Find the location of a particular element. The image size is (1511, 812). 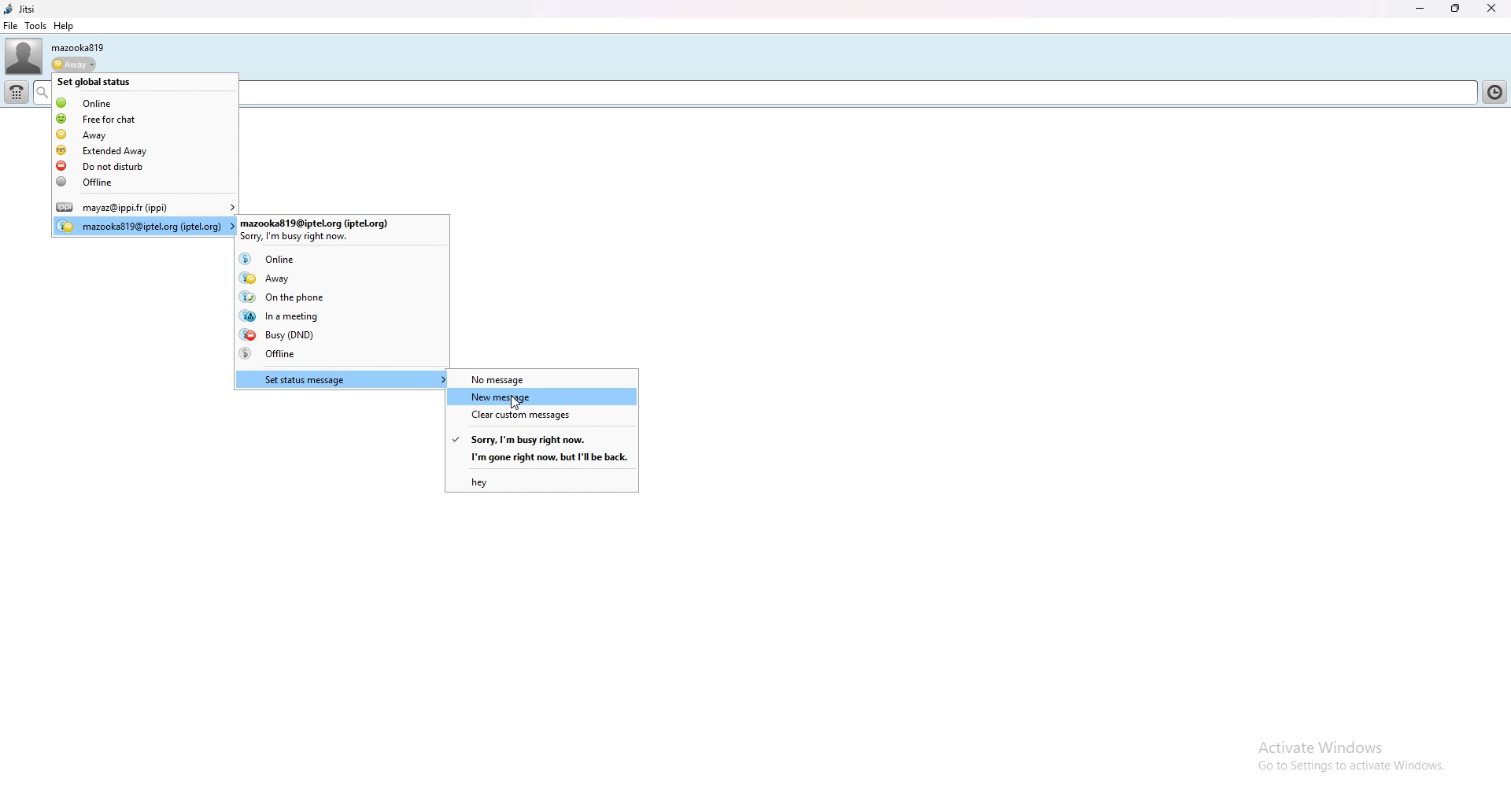

status is located at coordinates (72, 65).